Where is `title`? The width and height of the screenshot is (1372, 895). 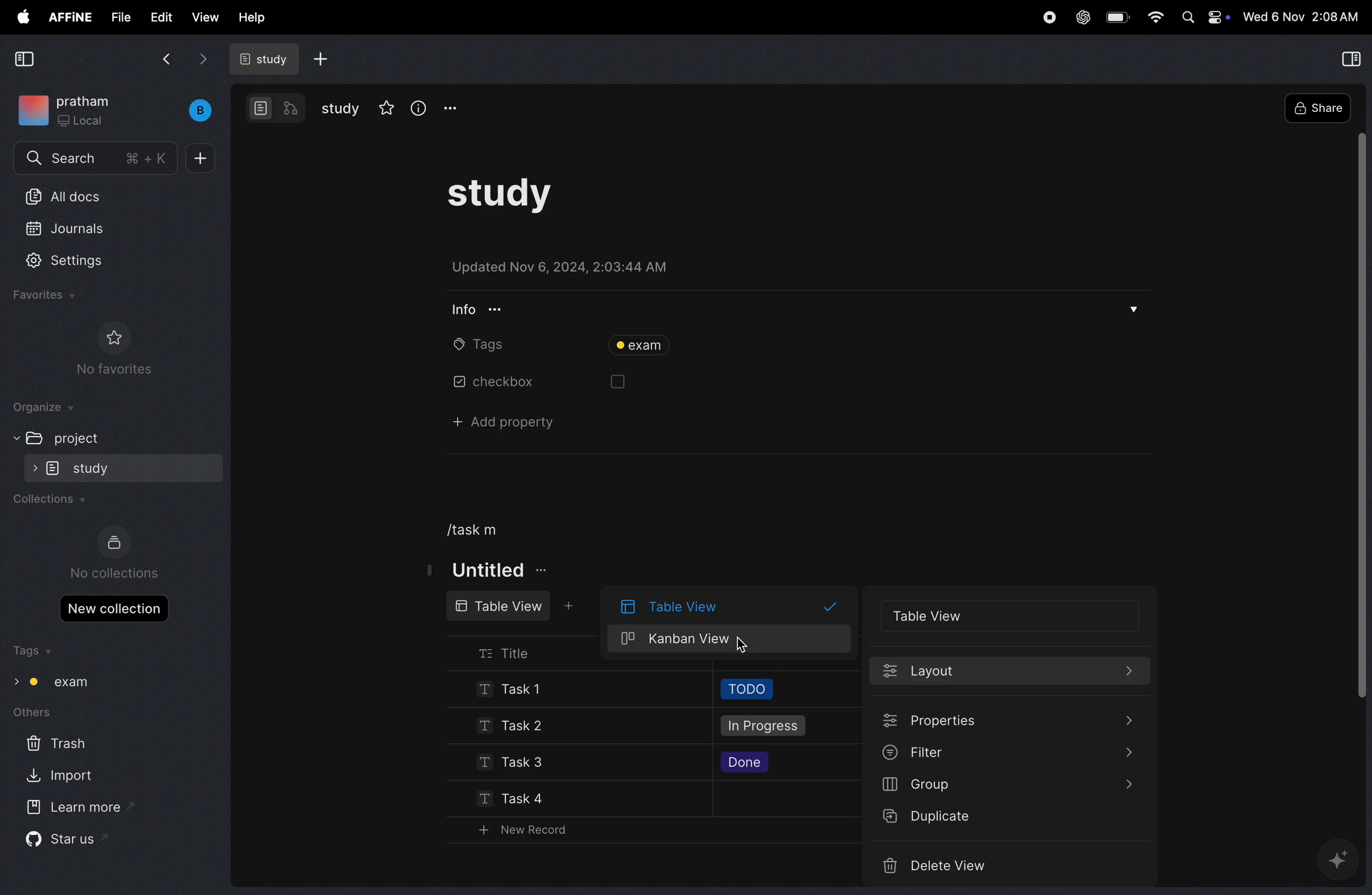
title is located at coordinates (518, 650).